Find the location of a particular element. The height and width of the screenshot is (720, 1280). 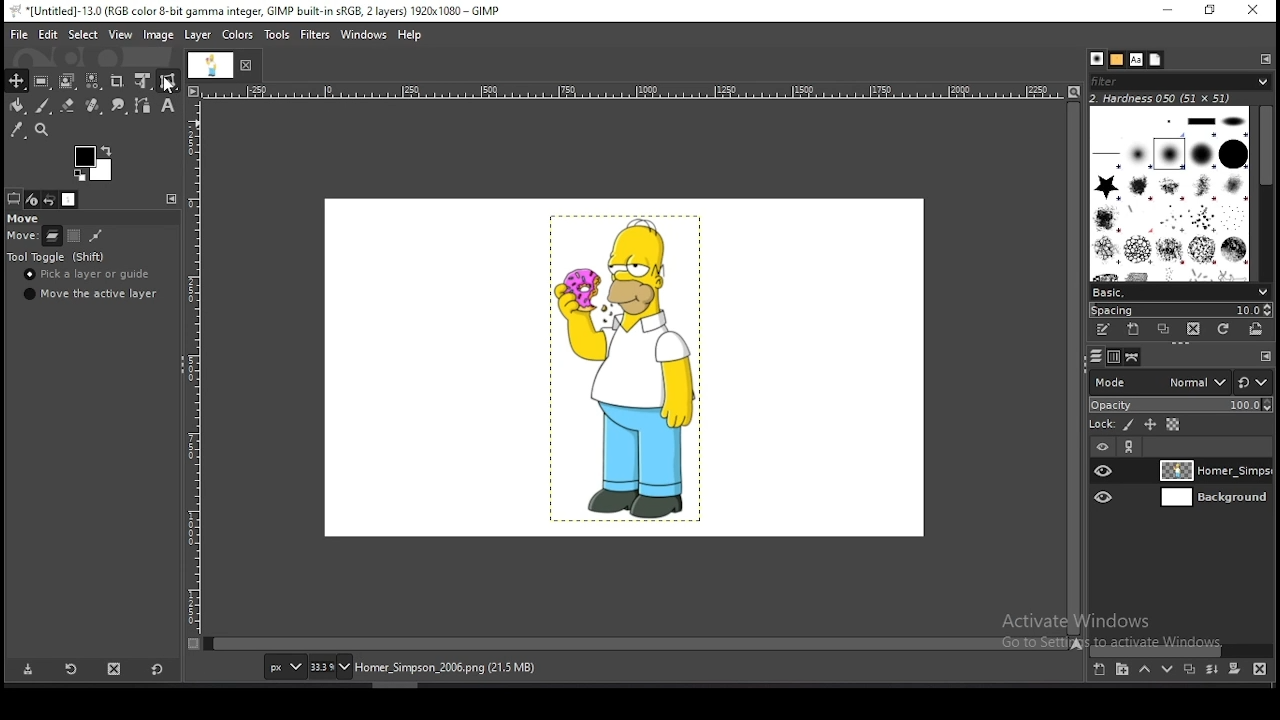

brushes is located at coordinates (1097, 60).